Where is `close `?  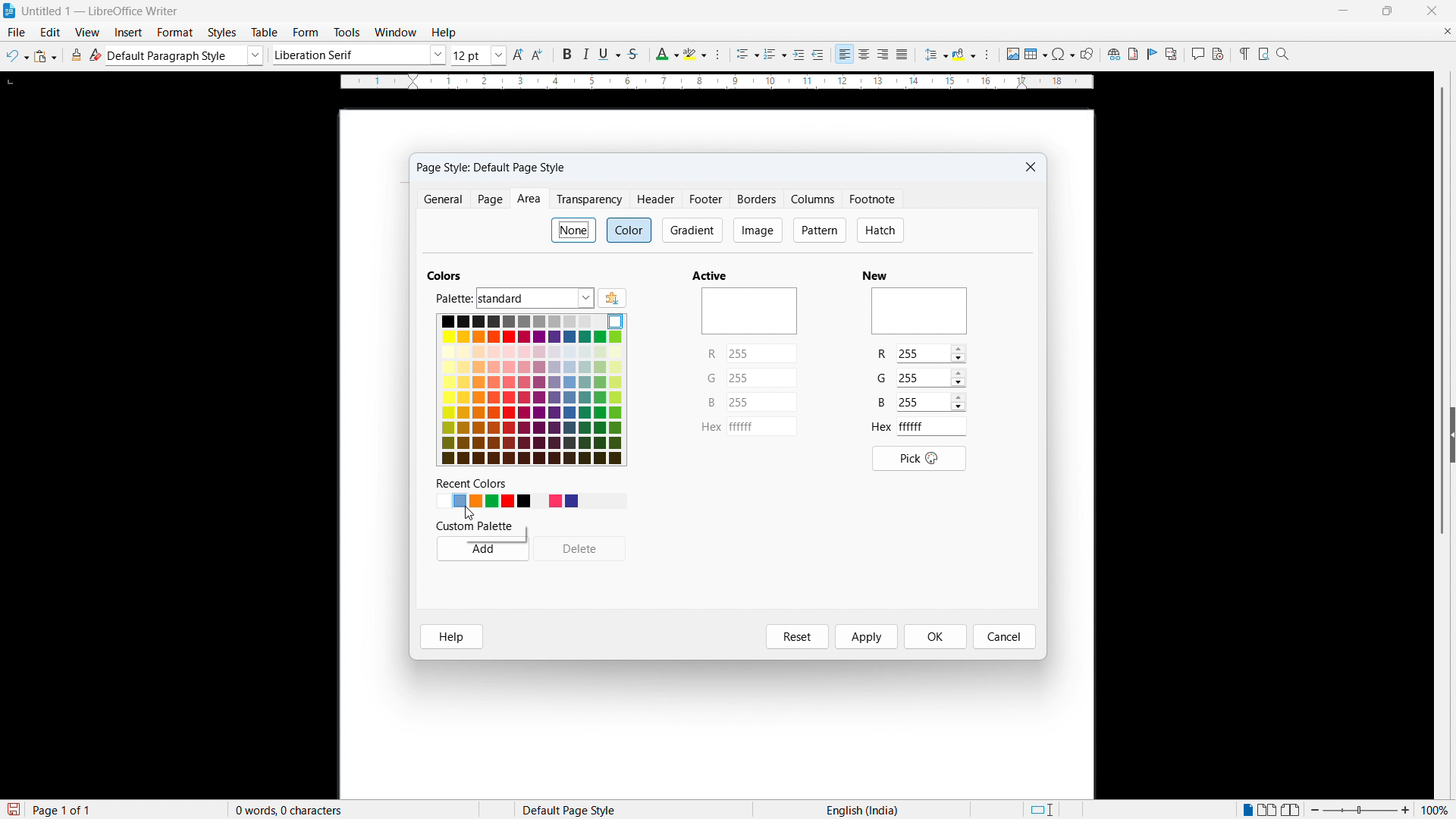 close  is located at coordinates (1031, 167).